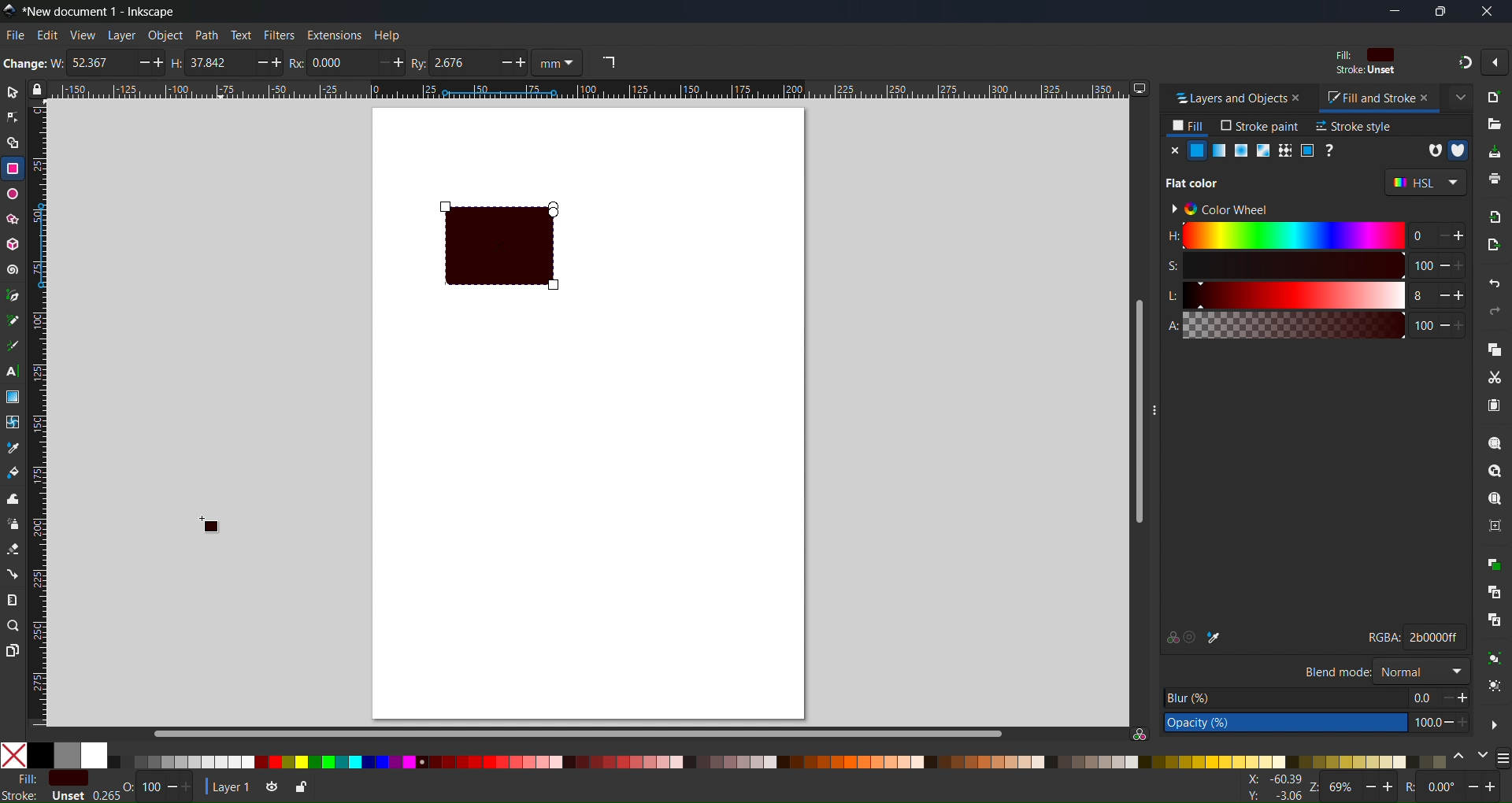  I want to click on Pick colors of image, so click(1215, 637).